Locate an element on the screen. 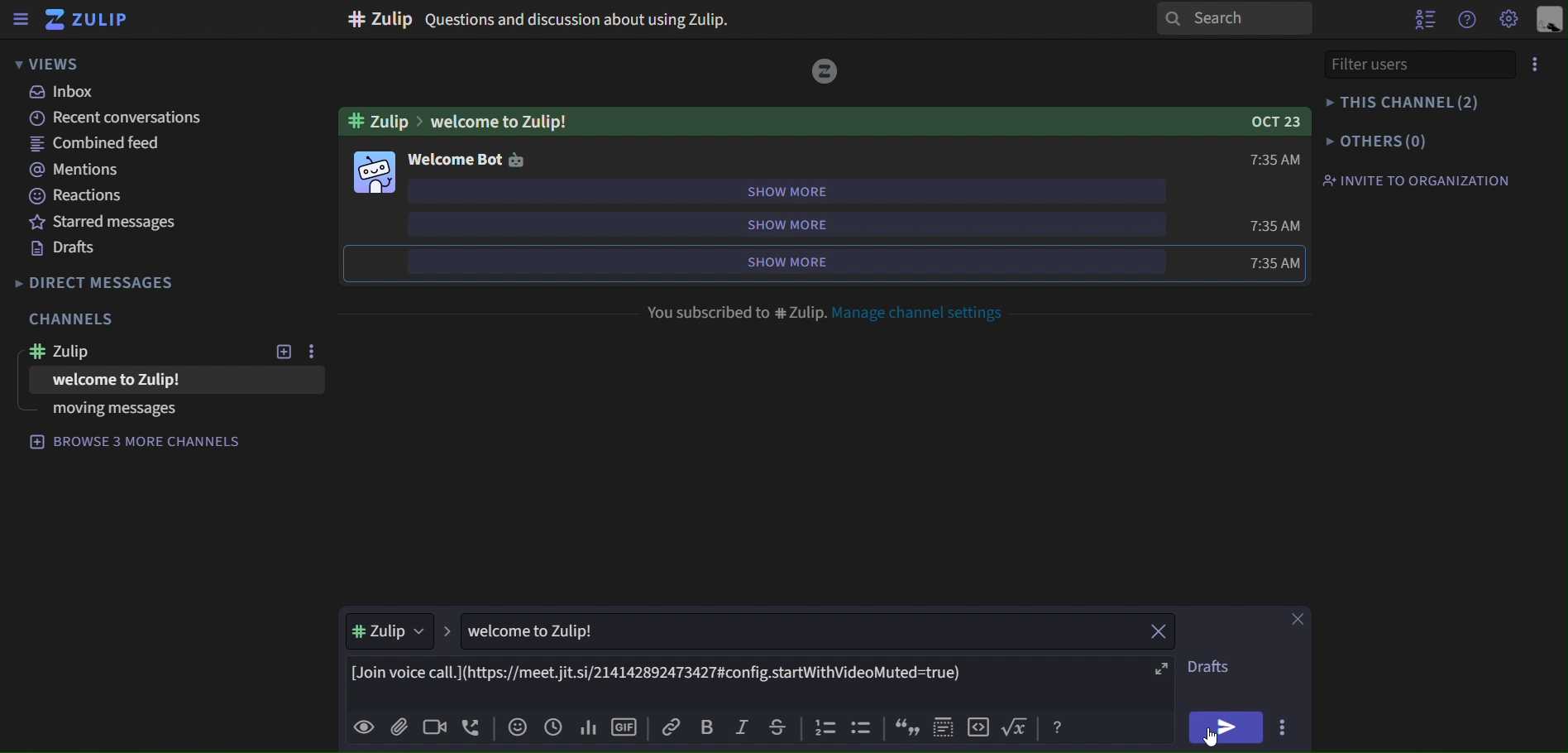 The image size is (1568, 753). others is located at coordinates (1376, 142).